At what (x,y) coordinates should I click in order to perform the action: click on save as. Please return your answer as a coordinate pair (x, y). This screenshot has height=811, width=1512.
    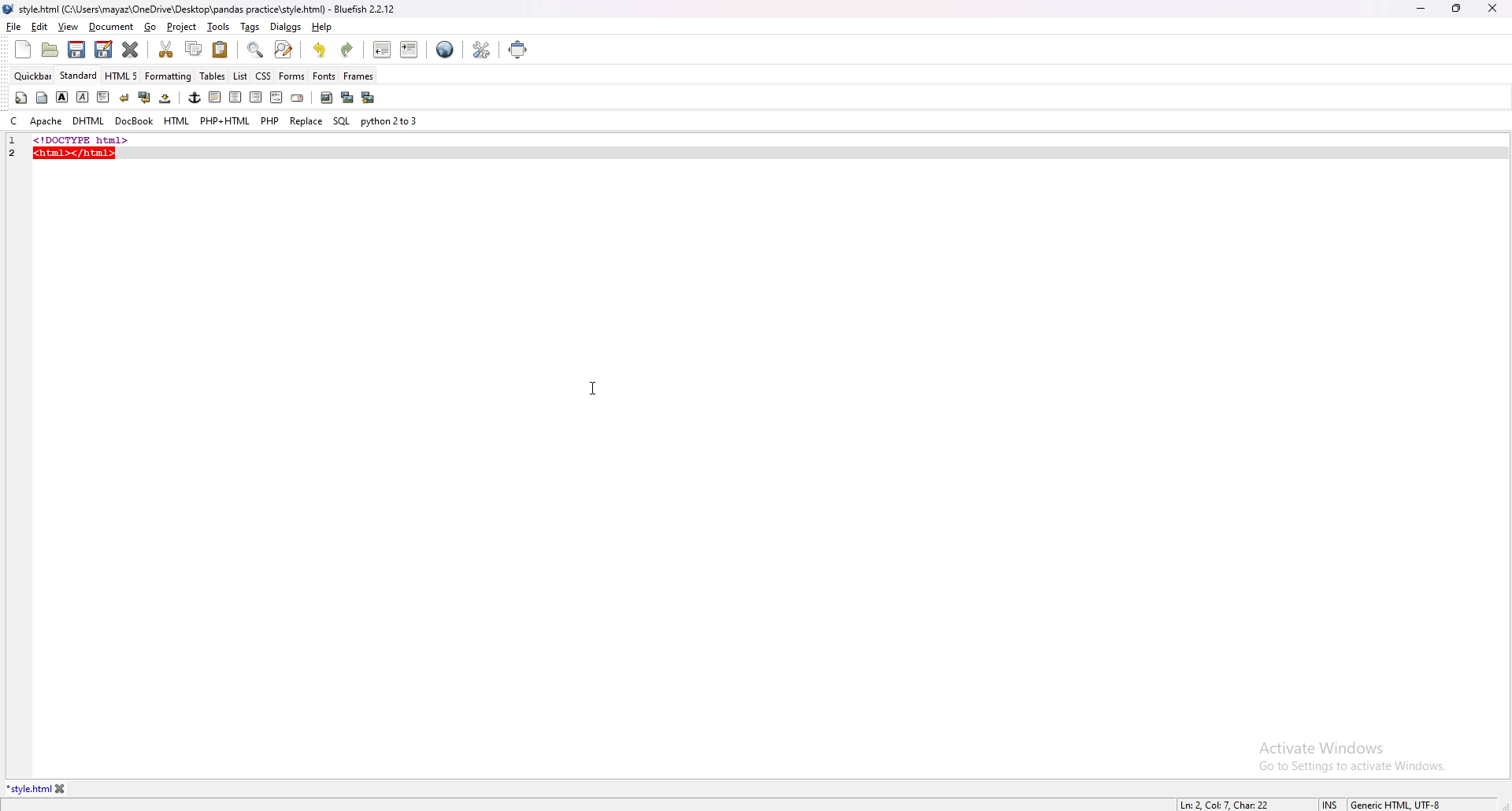
    Looking at the image, I should click on (103, 50).